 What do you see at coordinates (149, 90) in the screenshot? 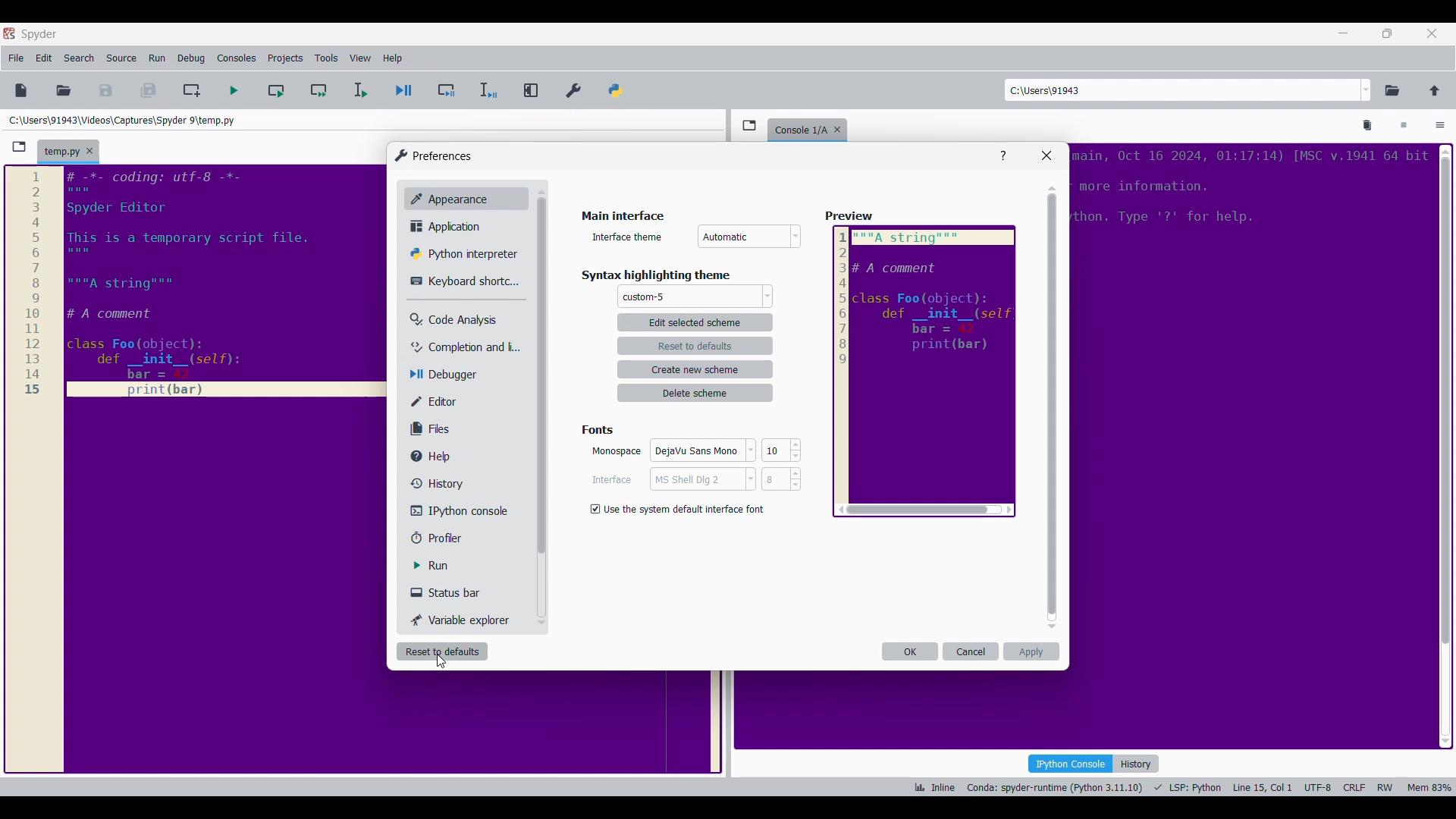
I see `Save everything` at bounding box center [149, 90].